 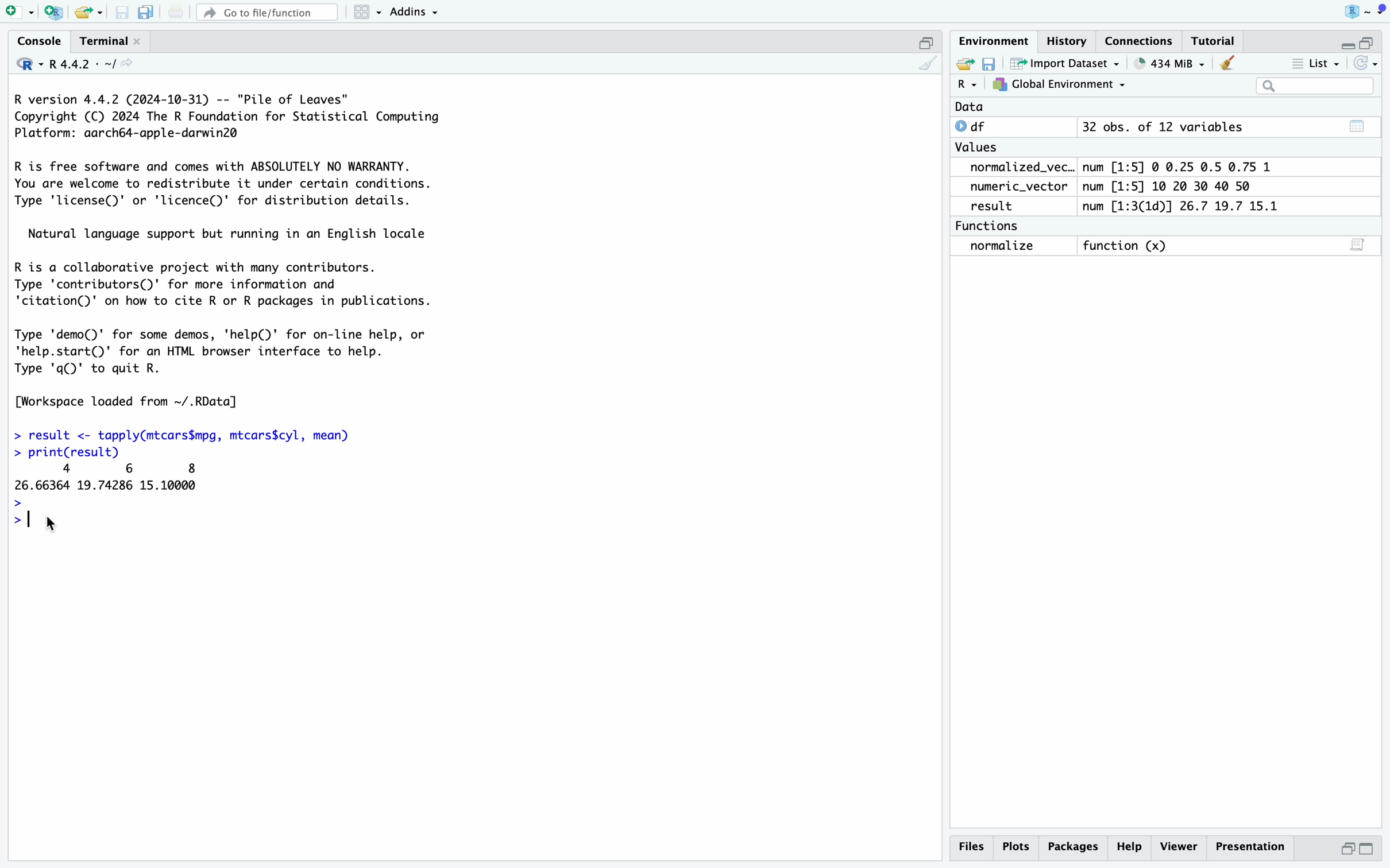 I want to click on Full Height, so click(x=1369, y=850).